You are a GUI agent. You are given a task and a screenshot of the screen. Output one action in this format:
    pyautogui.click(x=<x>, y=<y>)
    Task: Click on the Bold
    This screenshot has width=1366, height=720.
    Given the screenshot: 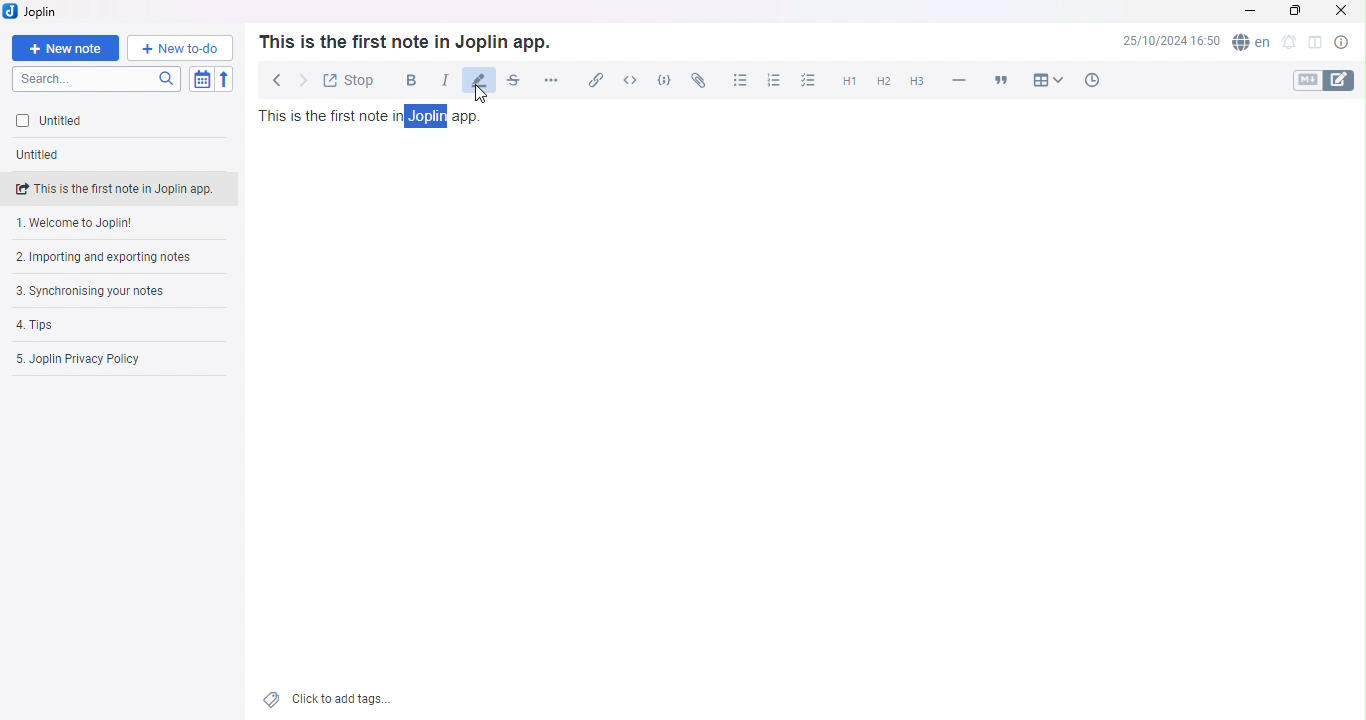 What is the action you would take?
    pyautogui.click(x=406, y=79)
    